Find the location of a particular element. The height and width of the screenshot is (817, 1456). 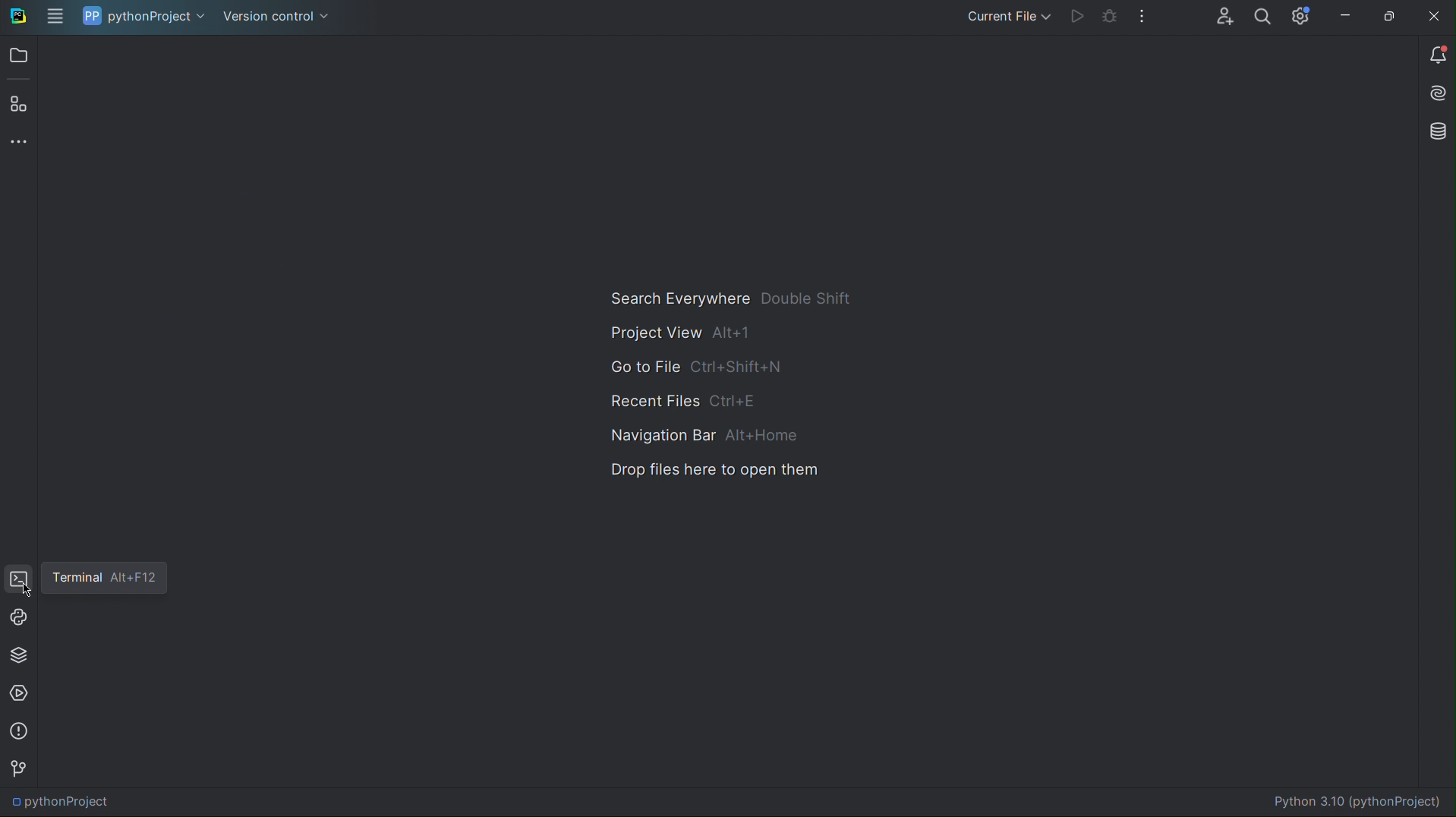

Plugins is located at coordinates (19, 99).